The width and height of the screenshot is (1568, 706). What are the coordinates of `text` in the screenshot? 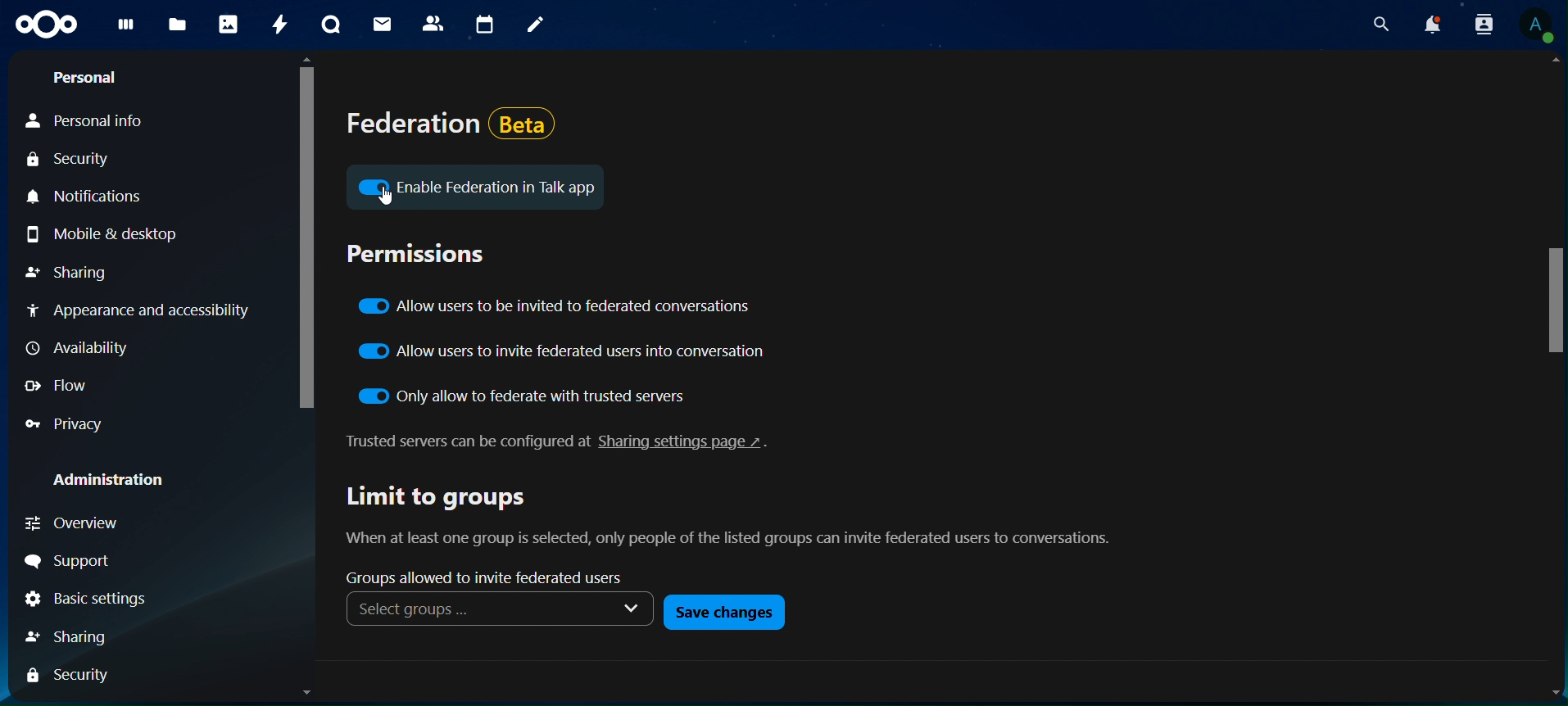 It's located at (592, 438).